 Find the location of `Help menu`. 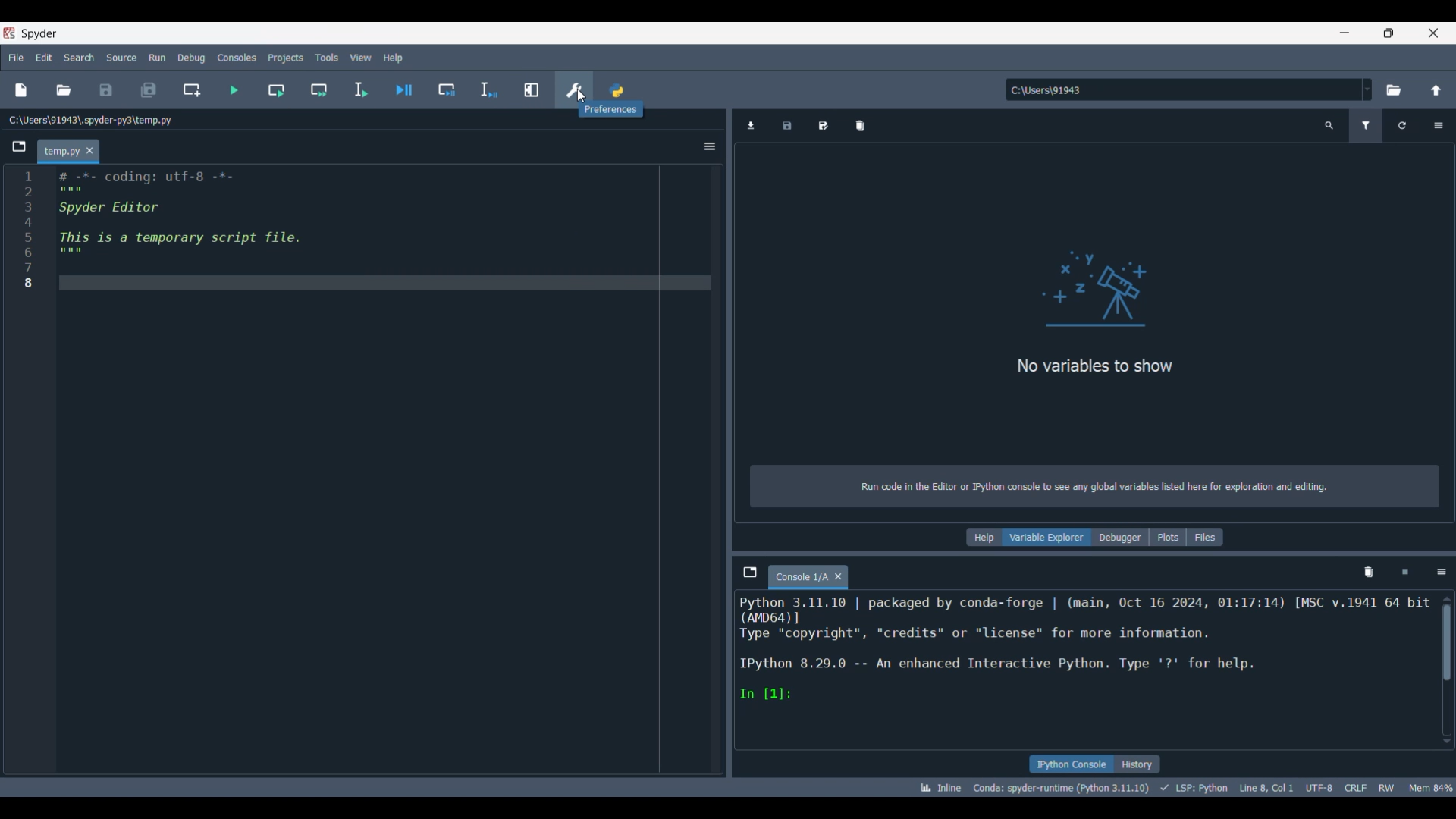

Help menu is located at coordinates (393, 58).